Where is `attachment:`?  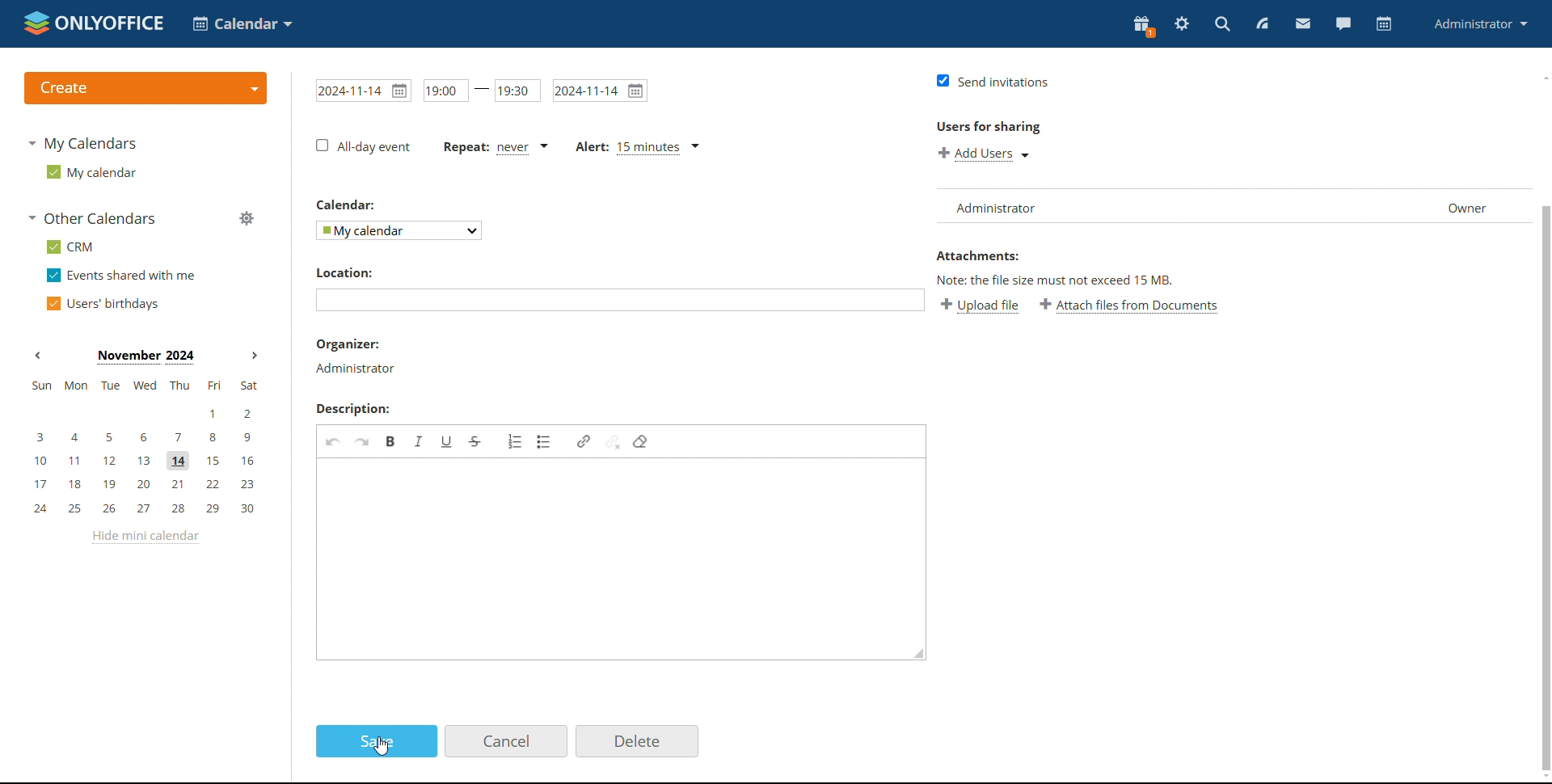 attachment: is located at coordinates (969, 254).